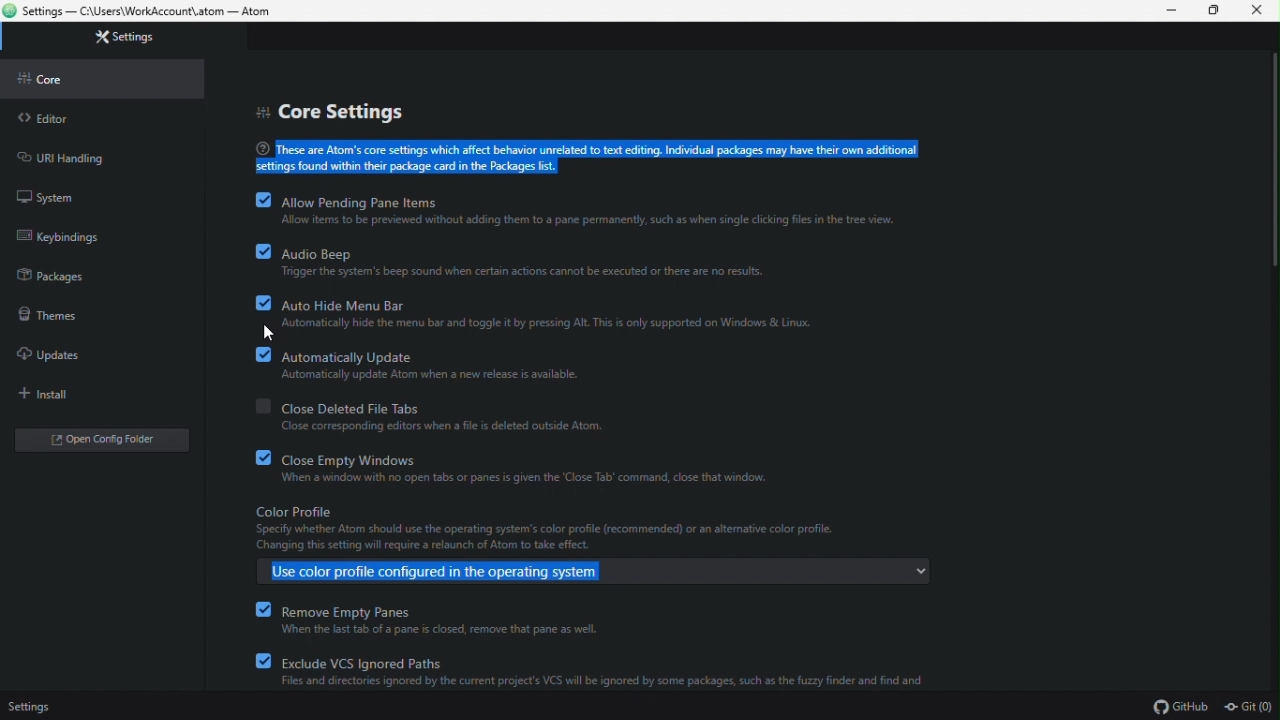 The image size is (1280, 720). I want to click on 4 Automatically UpdateAutomatically update Atom when a new release is available., so click(550, 366).